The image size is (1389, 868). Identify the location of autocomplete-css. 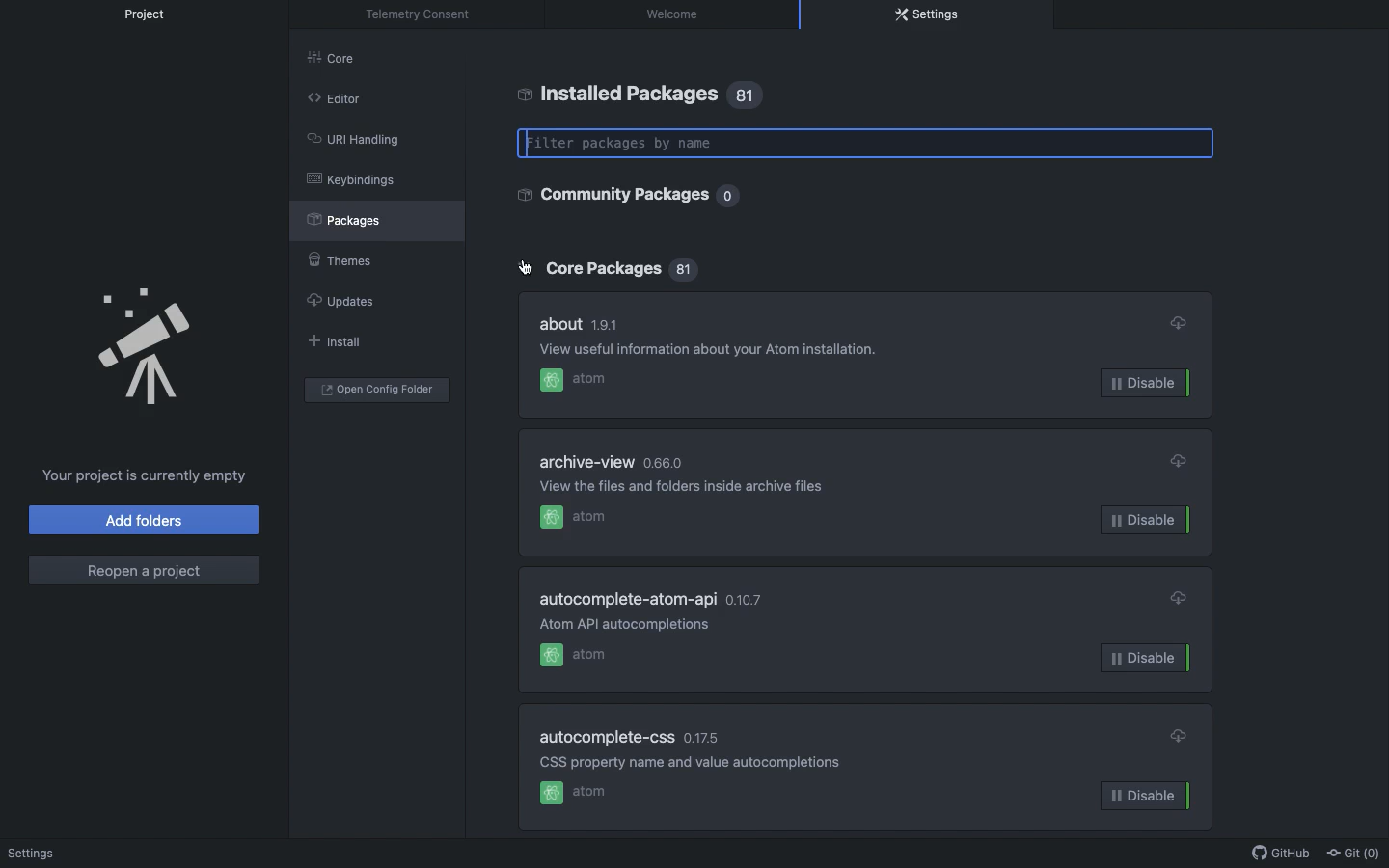
(609, 737).